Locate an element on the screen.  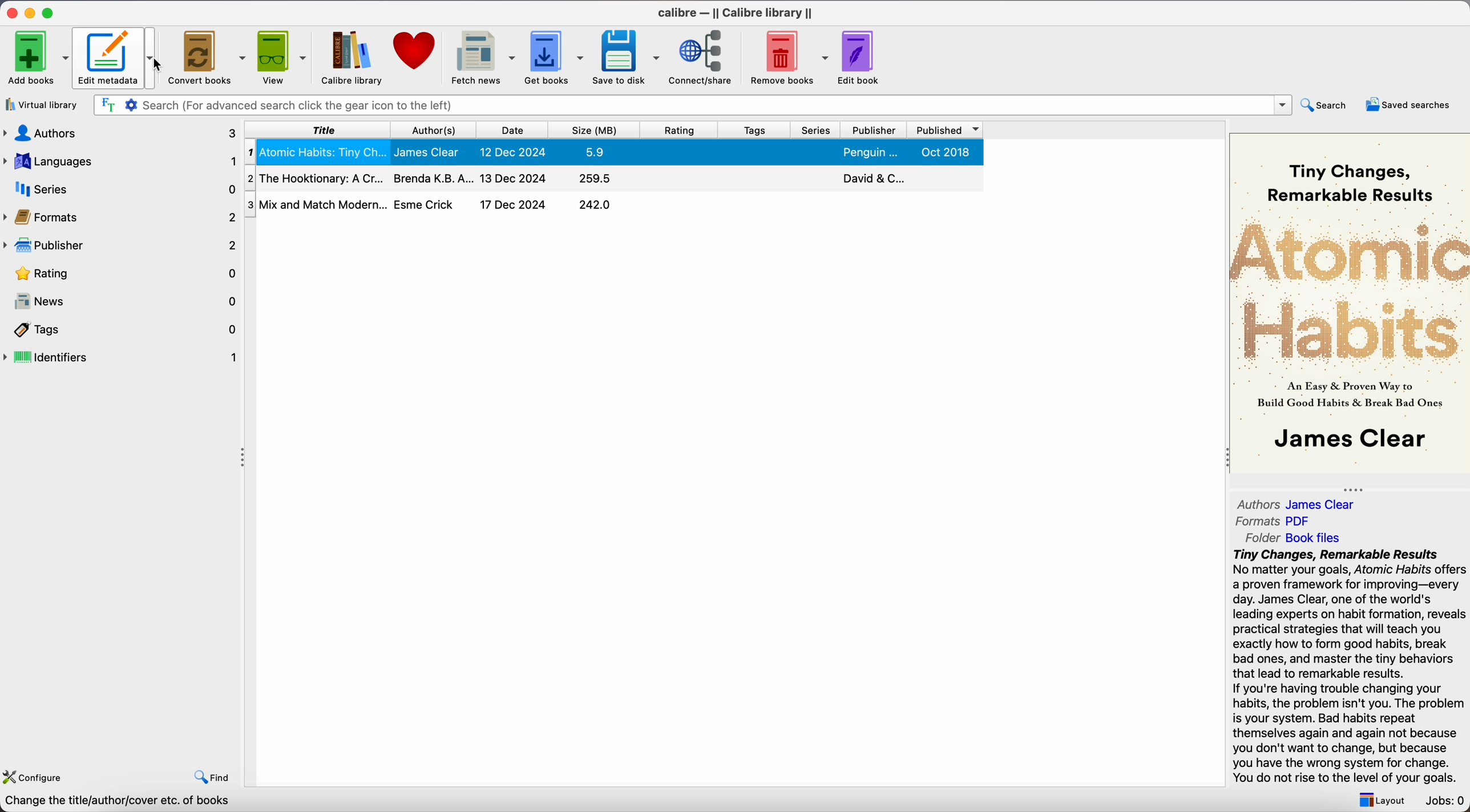
James Clear is located at coordinates (430, 152).